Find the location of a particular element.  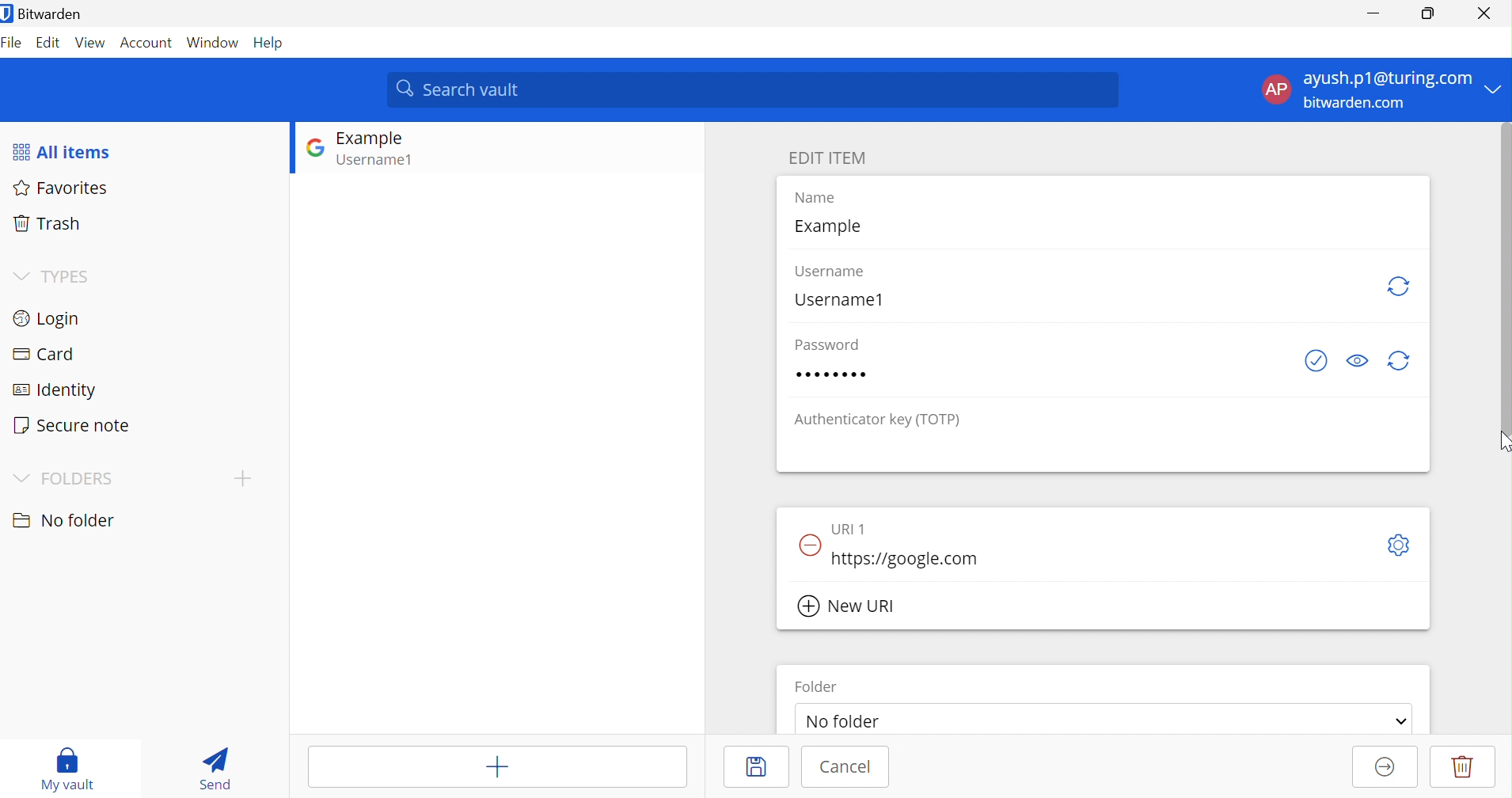

Delete is located at coordinates (1464, 767).